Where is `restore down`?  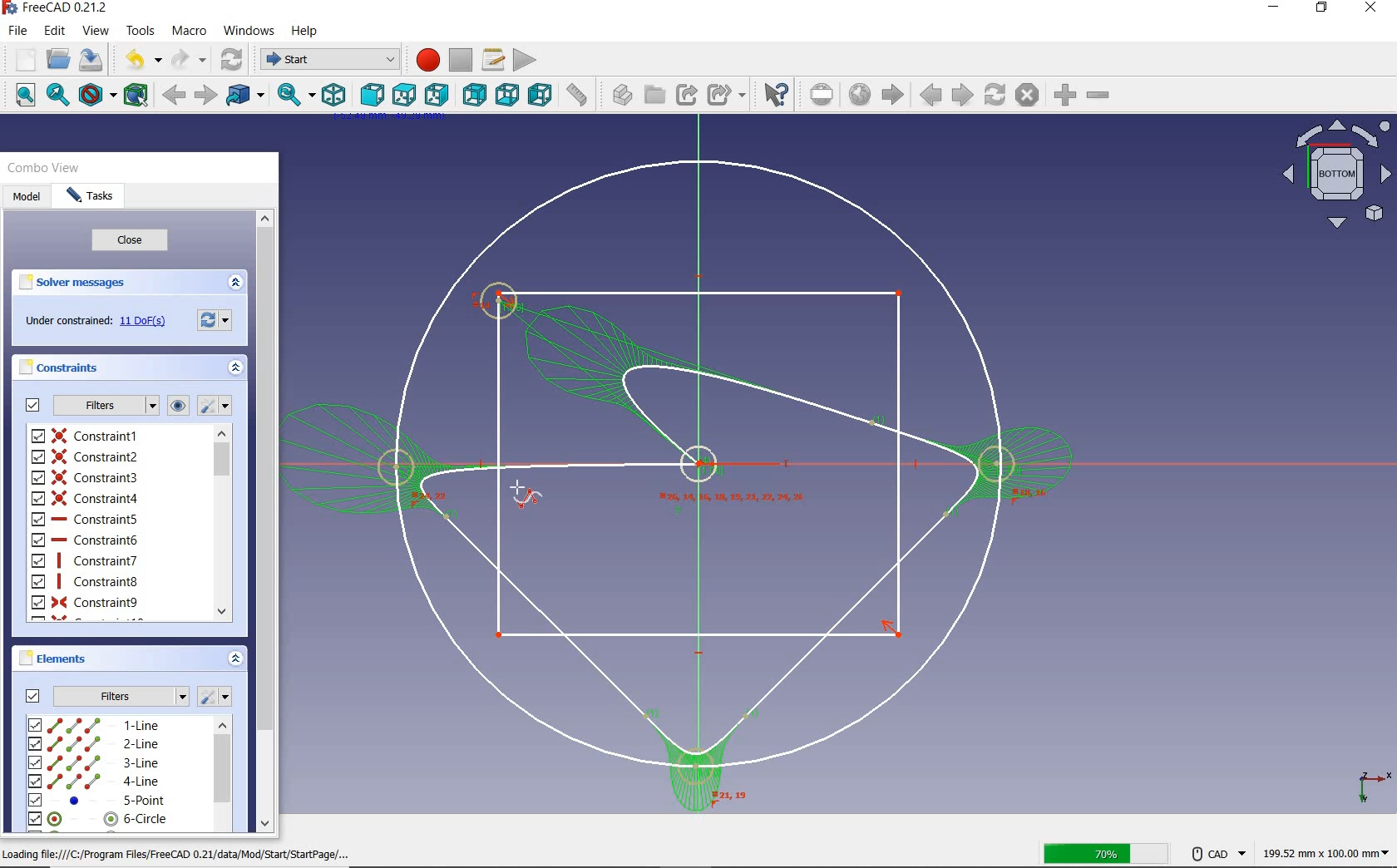 restore down is located at coordinates (1321, 10).